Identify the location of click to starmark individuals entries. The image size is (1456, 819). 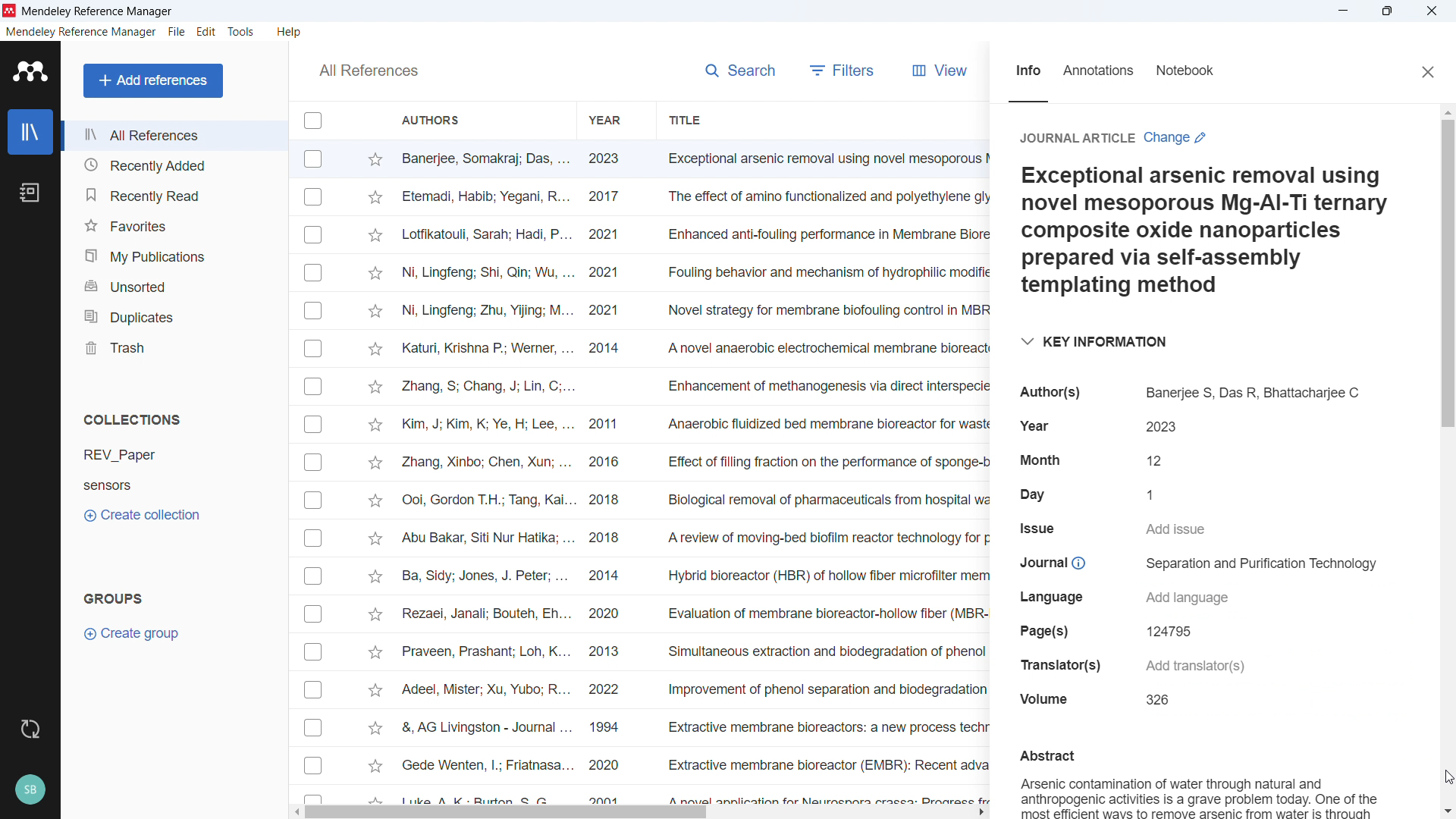
(376, 799).